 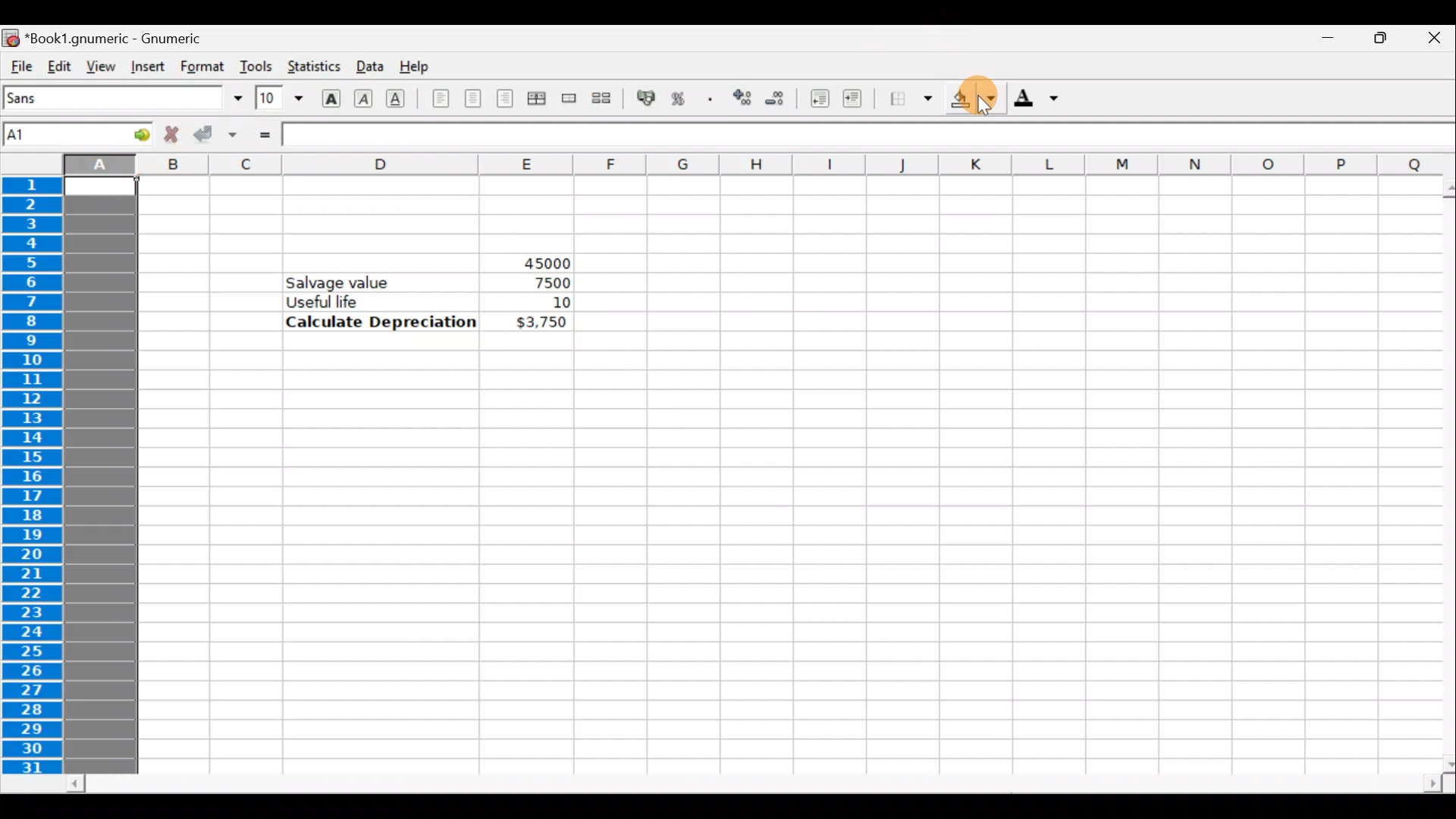 I want to click on View, so click(x=96, y=65).